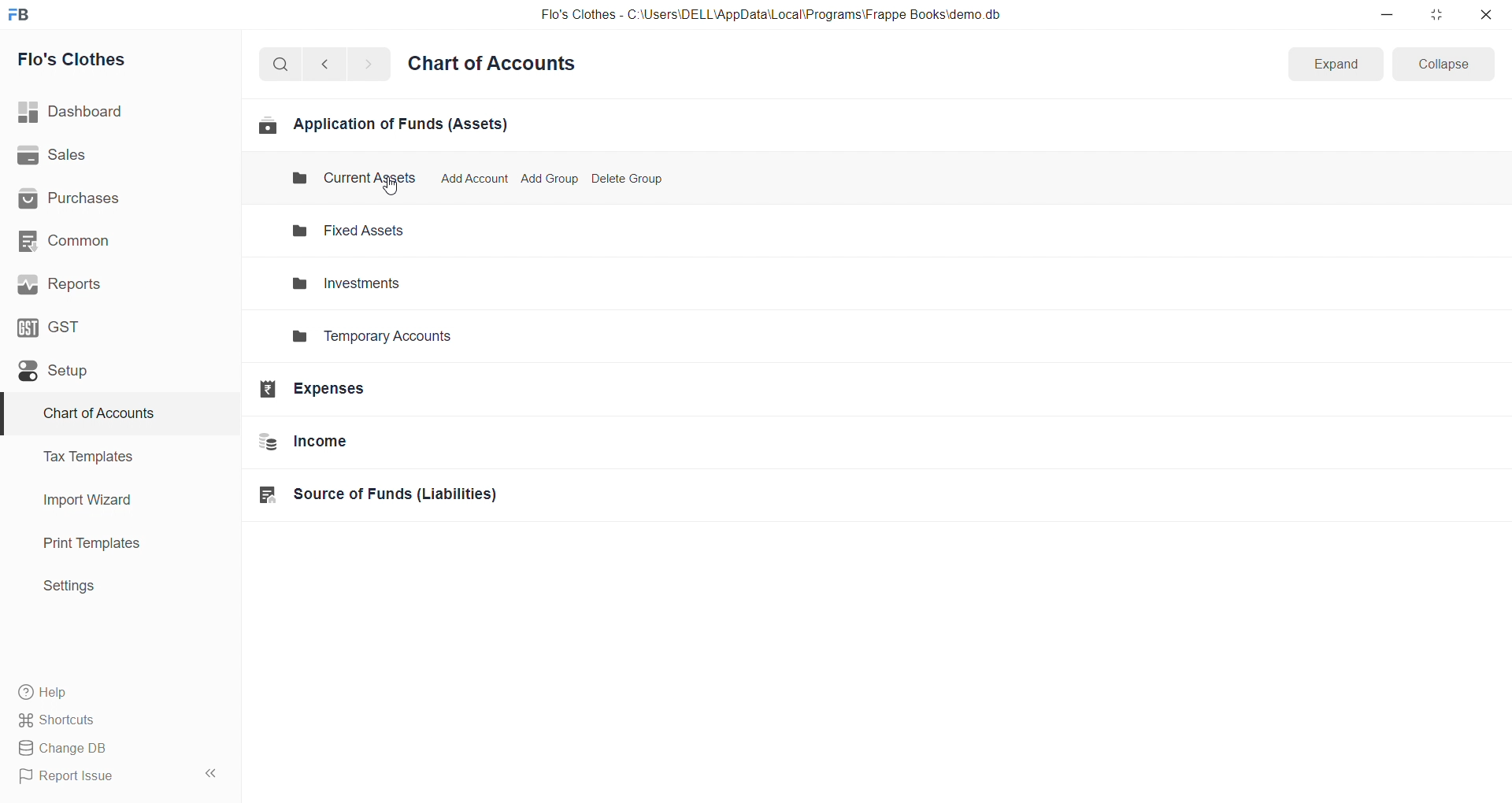 This screenshot has height=803, width=1512. I want to click on Common, so click(111, 240).